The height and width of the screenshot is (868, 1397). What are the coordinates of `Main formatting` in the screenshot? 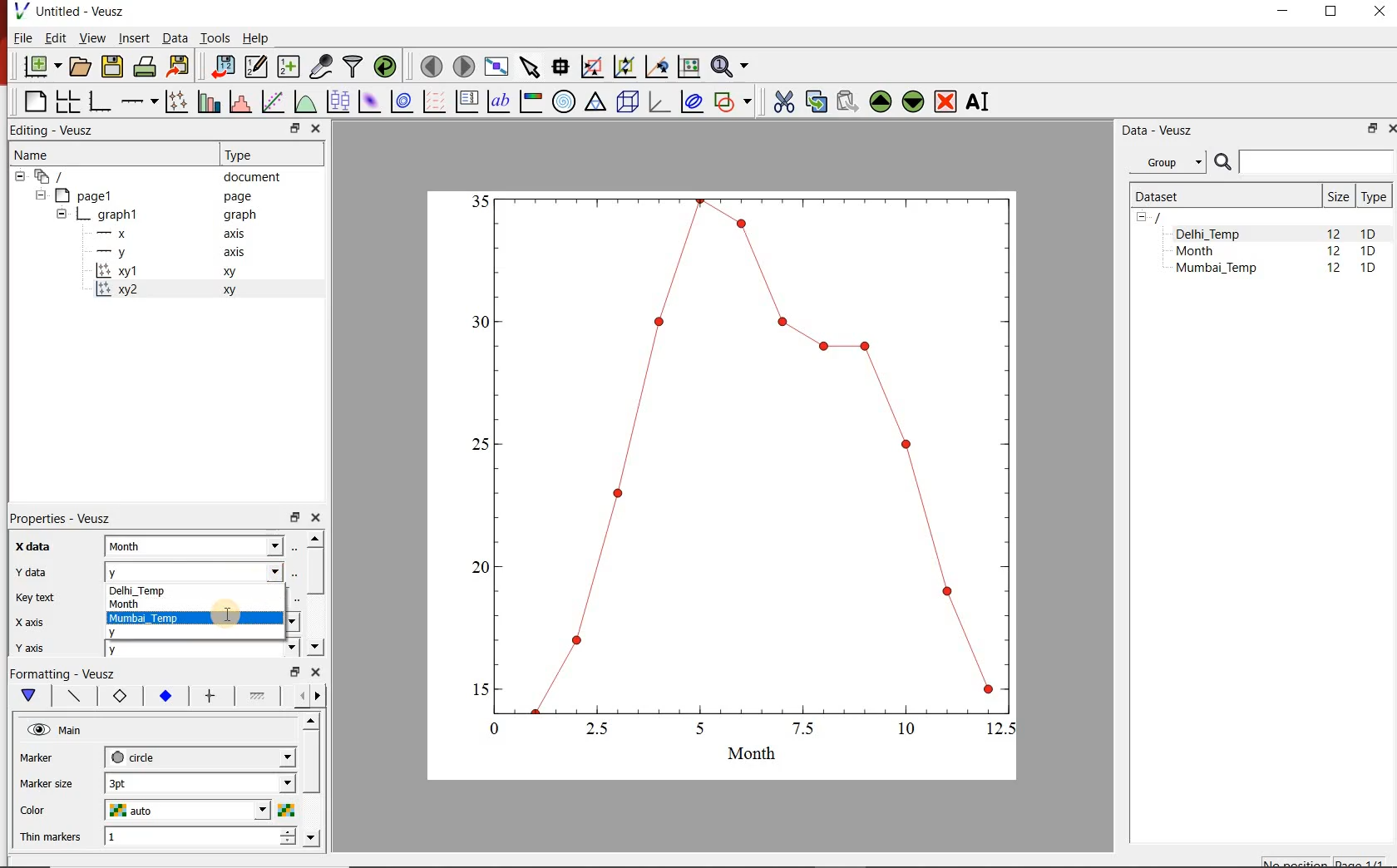 It's located at (26, 696).